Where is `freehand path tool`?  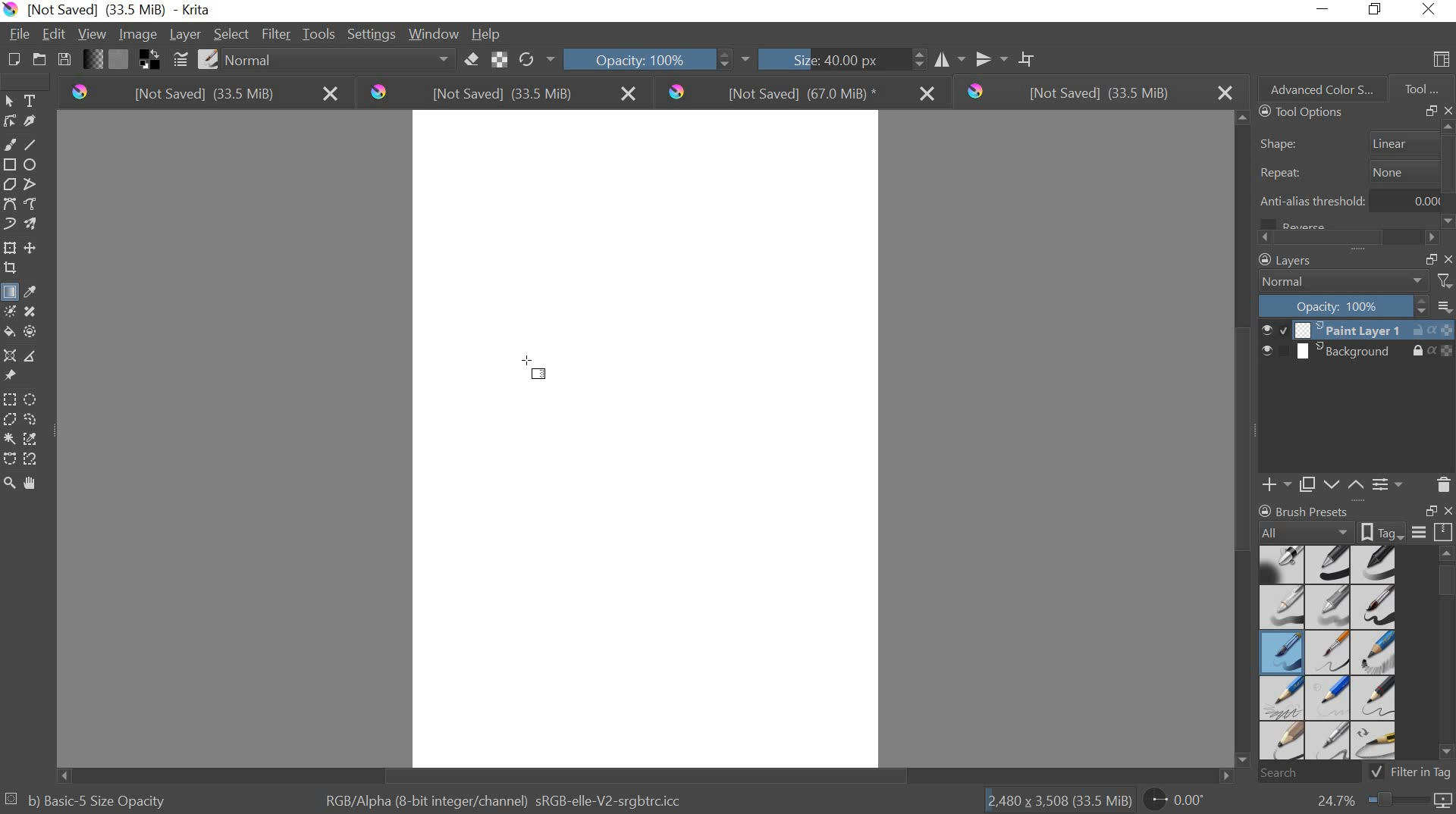
freehand path tool is located at coordinates (35, 205).